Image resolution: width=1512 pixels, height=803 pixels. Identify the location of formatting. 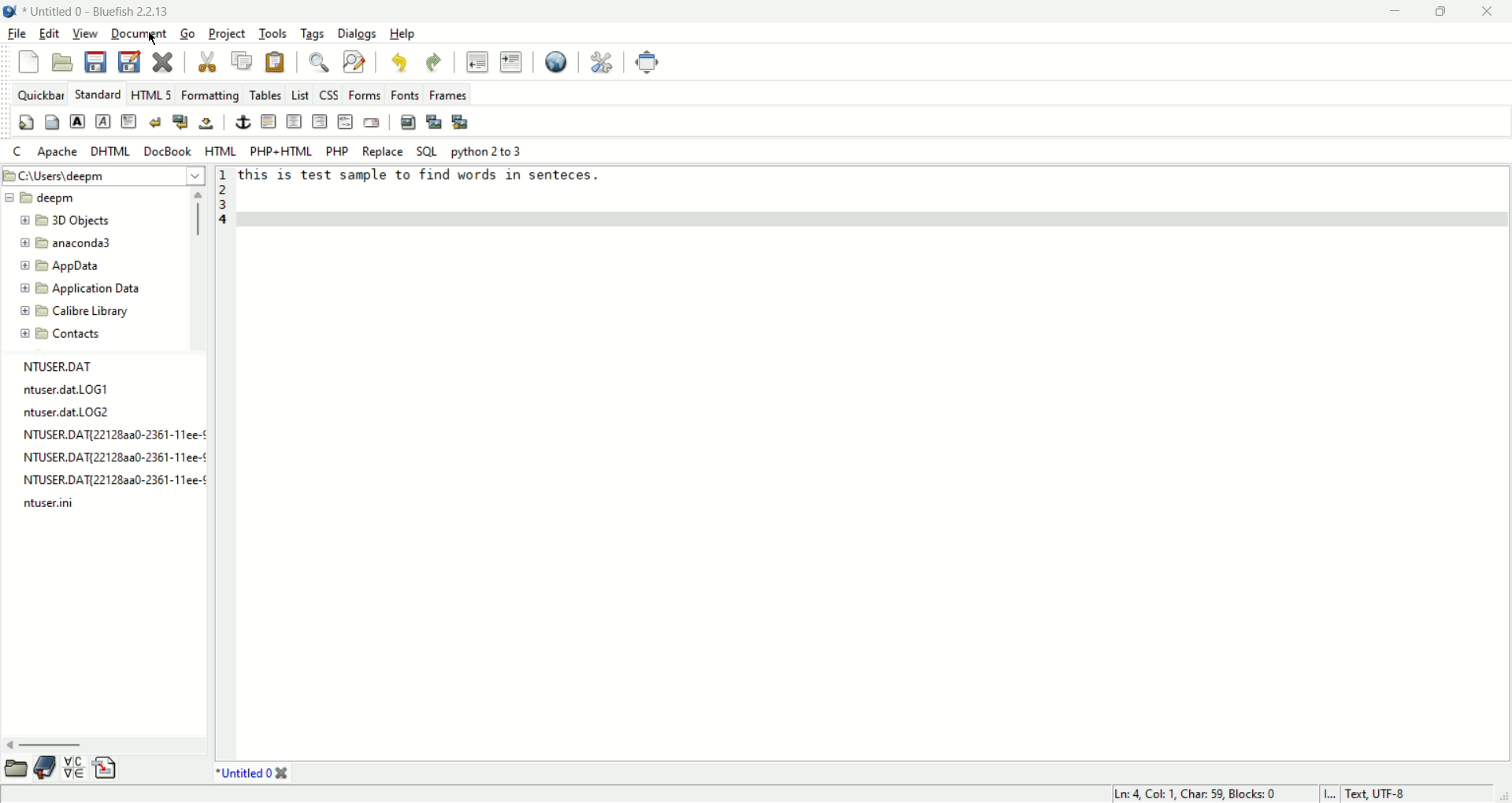
(209, 94).